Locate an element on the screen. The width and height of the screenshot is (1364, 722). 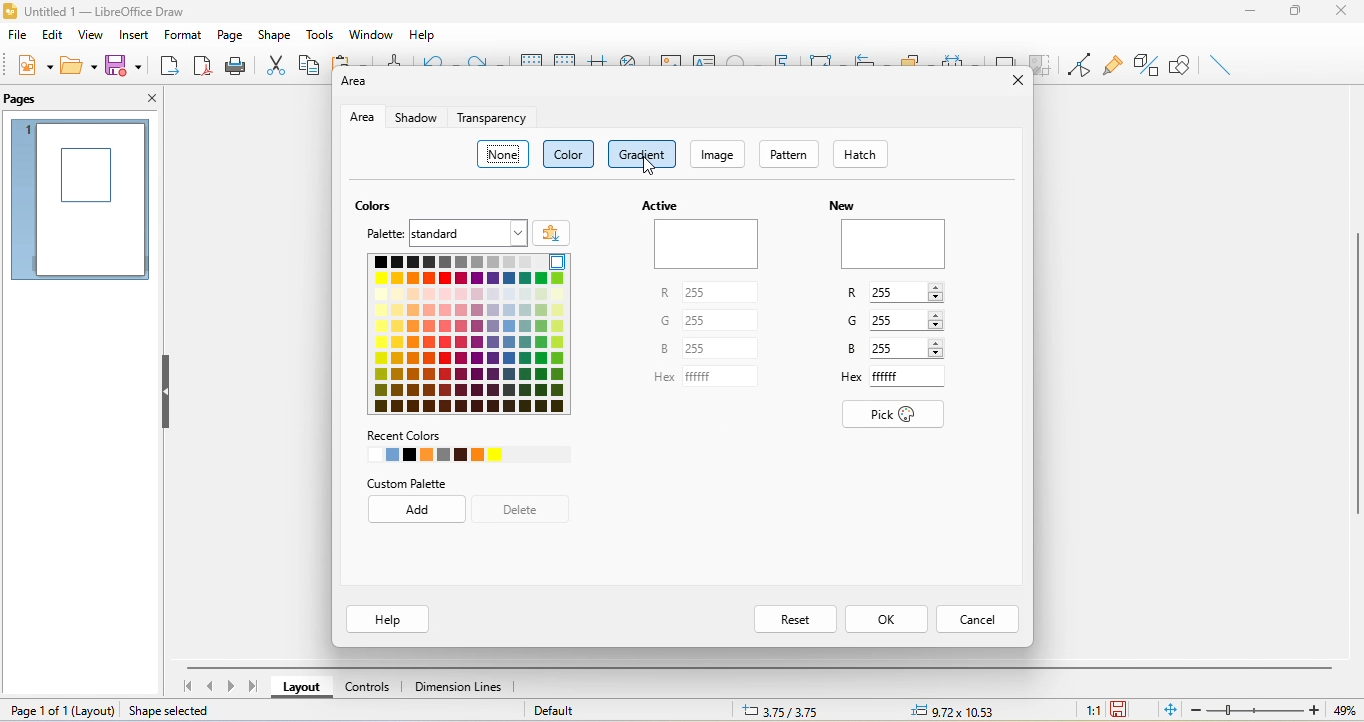
all colors is located at coordinates (468, 334).